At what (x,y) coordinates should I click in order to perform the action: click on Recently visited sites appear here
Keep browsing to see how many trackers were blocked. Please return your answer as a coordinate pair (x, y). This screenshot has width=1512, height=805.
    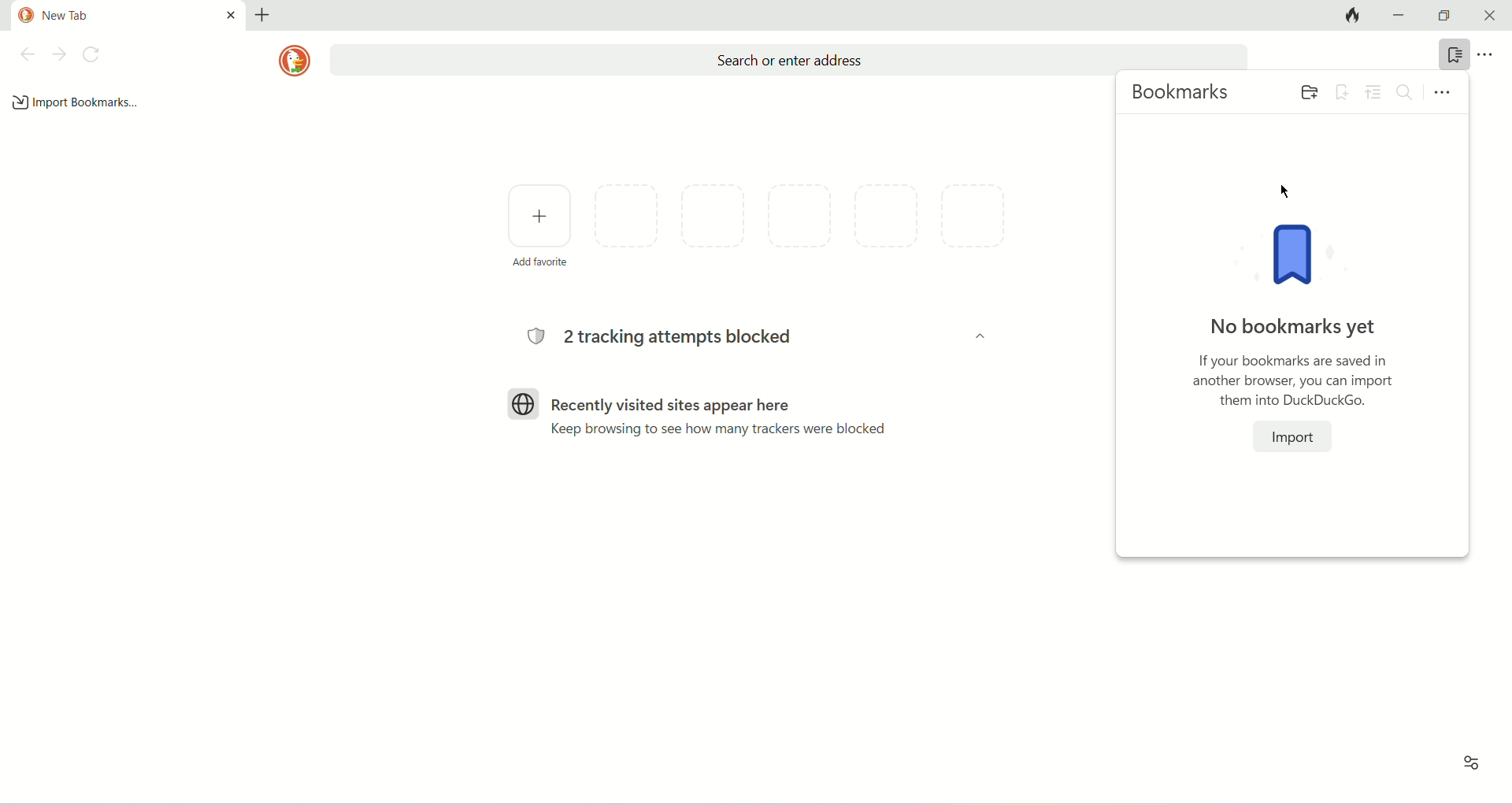
    Looking at the image, I should click on (725, 415).